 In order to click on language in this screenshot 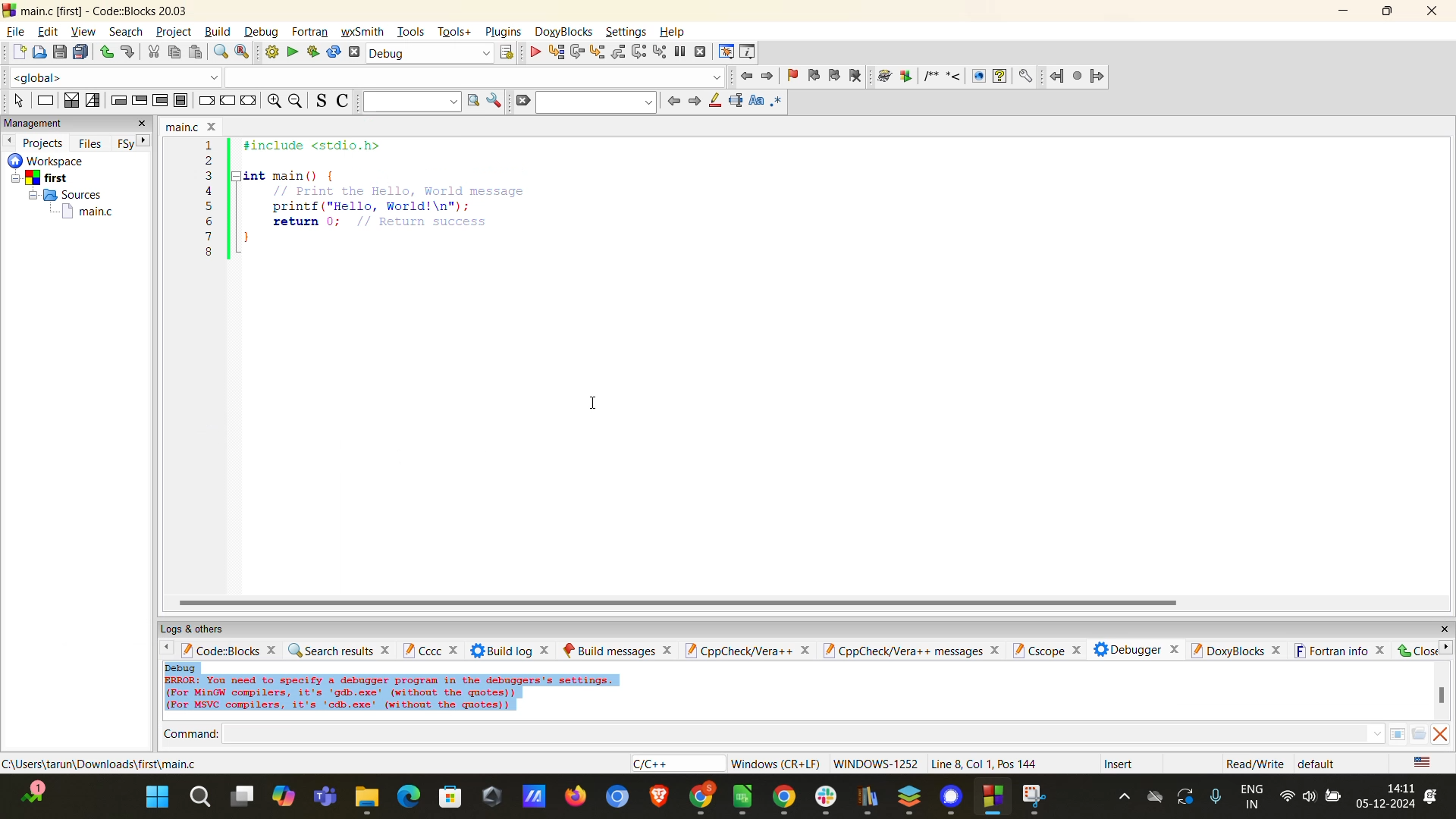, I will do `click(673, 761)`.